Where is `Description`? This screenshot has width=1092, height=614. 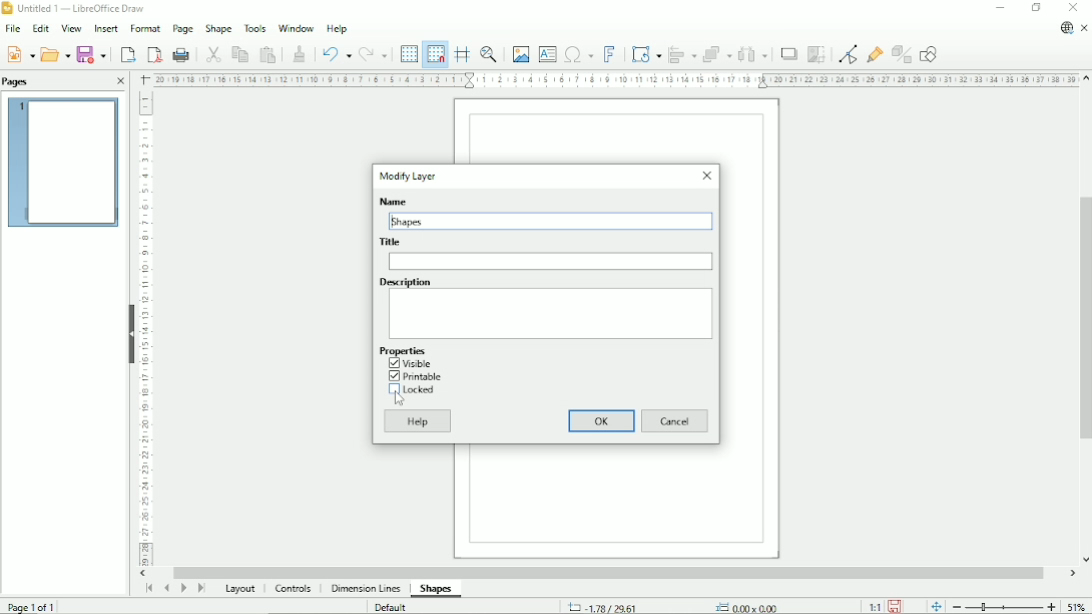
Description is located at coordinates (405, 281).